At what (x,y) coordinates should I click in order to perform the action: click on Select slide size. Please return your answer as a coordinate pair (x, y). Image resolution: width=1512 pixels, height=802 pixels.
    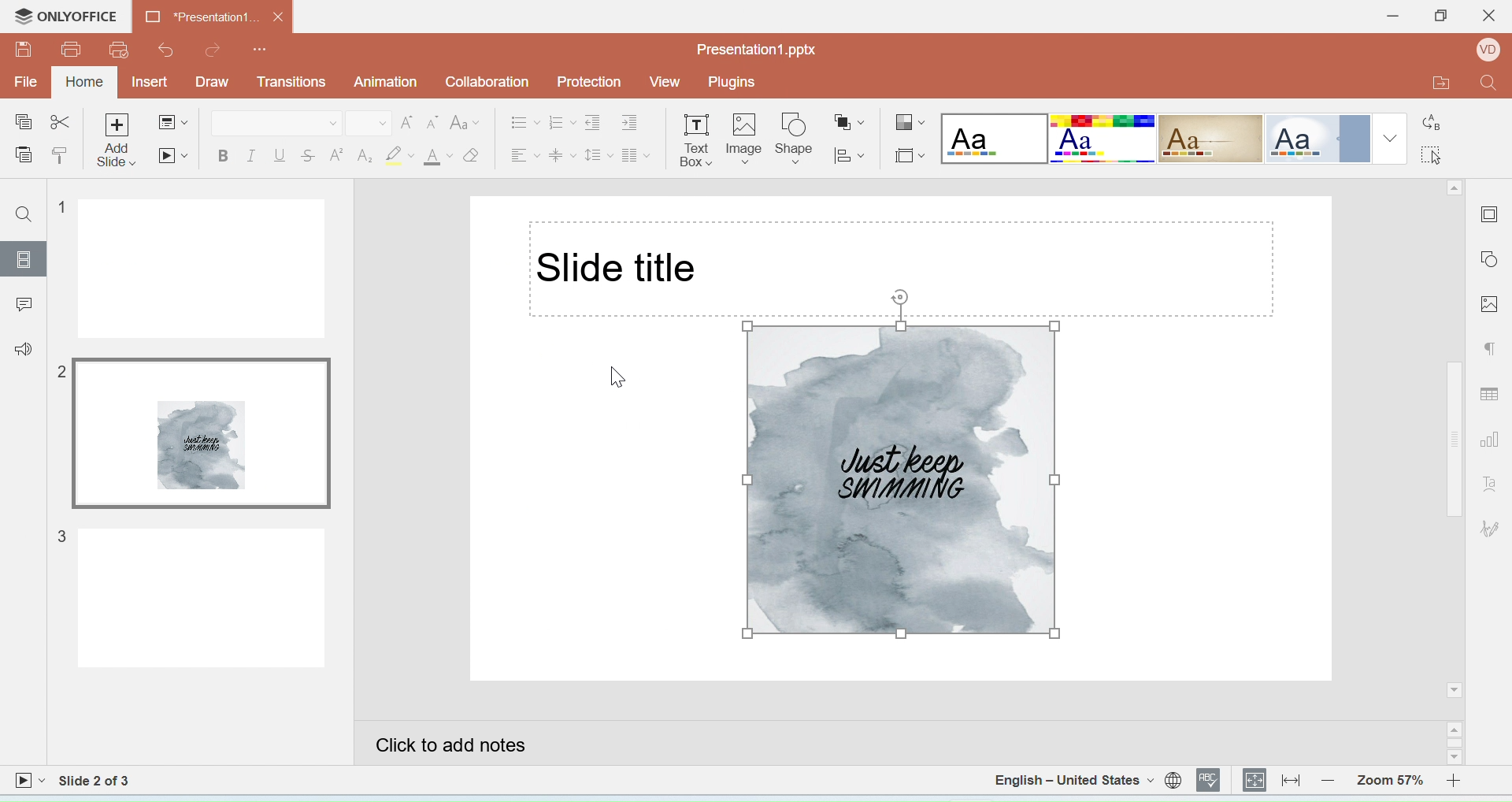
    Looking at the image, I should click on (909, 153).